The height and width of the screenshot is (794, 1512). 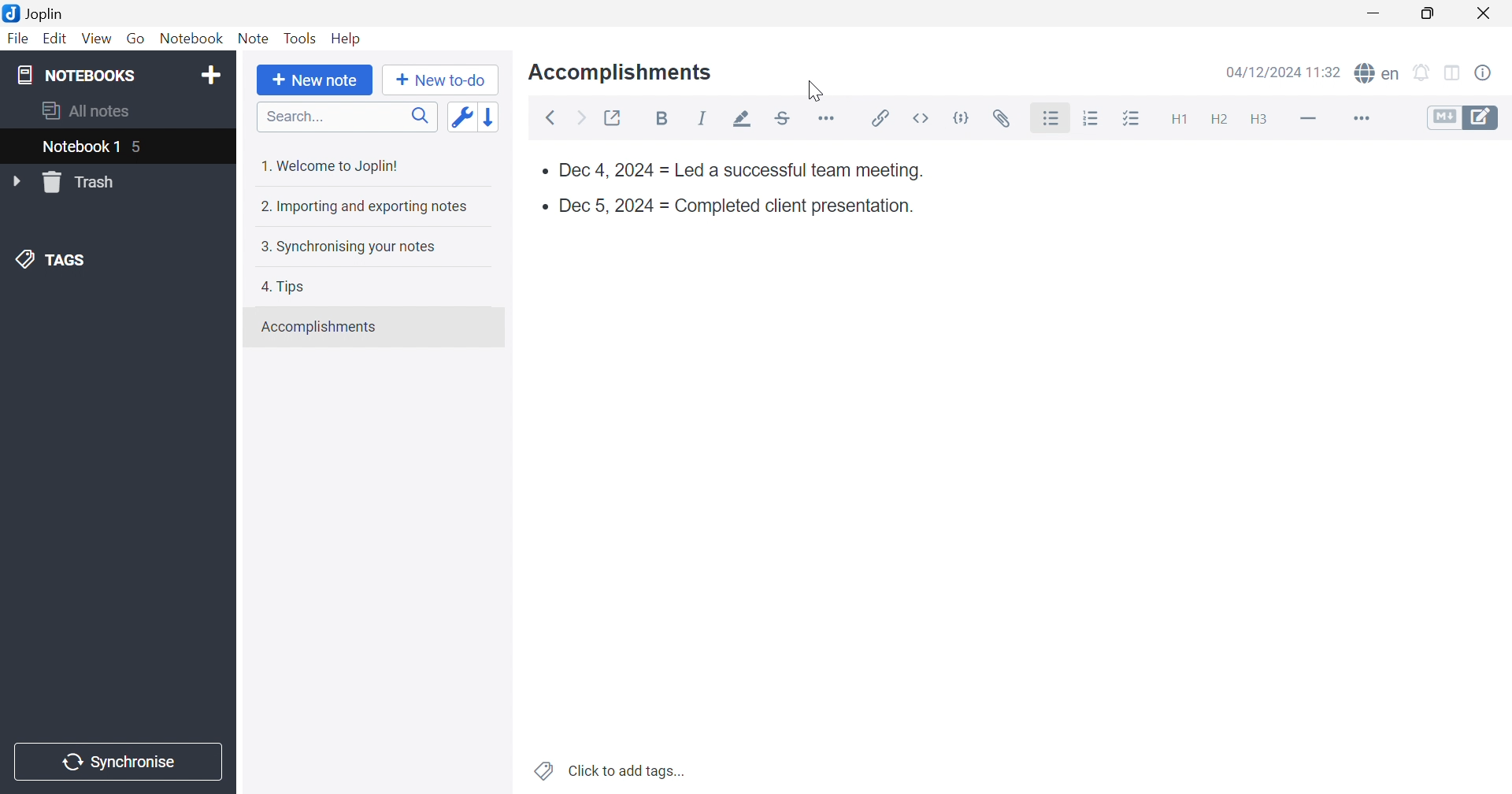 I want to click on Bulleted list, so click(x=1051, y=119).